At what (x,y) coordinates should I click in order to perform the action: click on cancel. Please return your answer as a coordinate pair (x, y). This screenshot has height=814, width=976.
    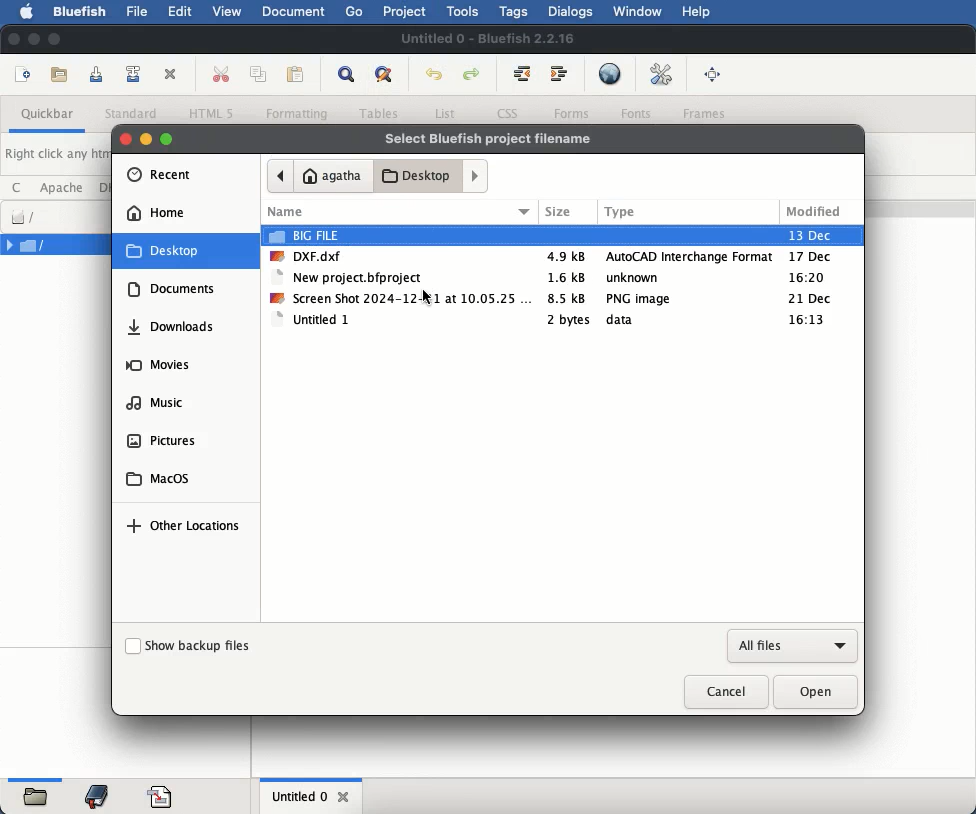
    Looking at the image, I should click on (726, 691).